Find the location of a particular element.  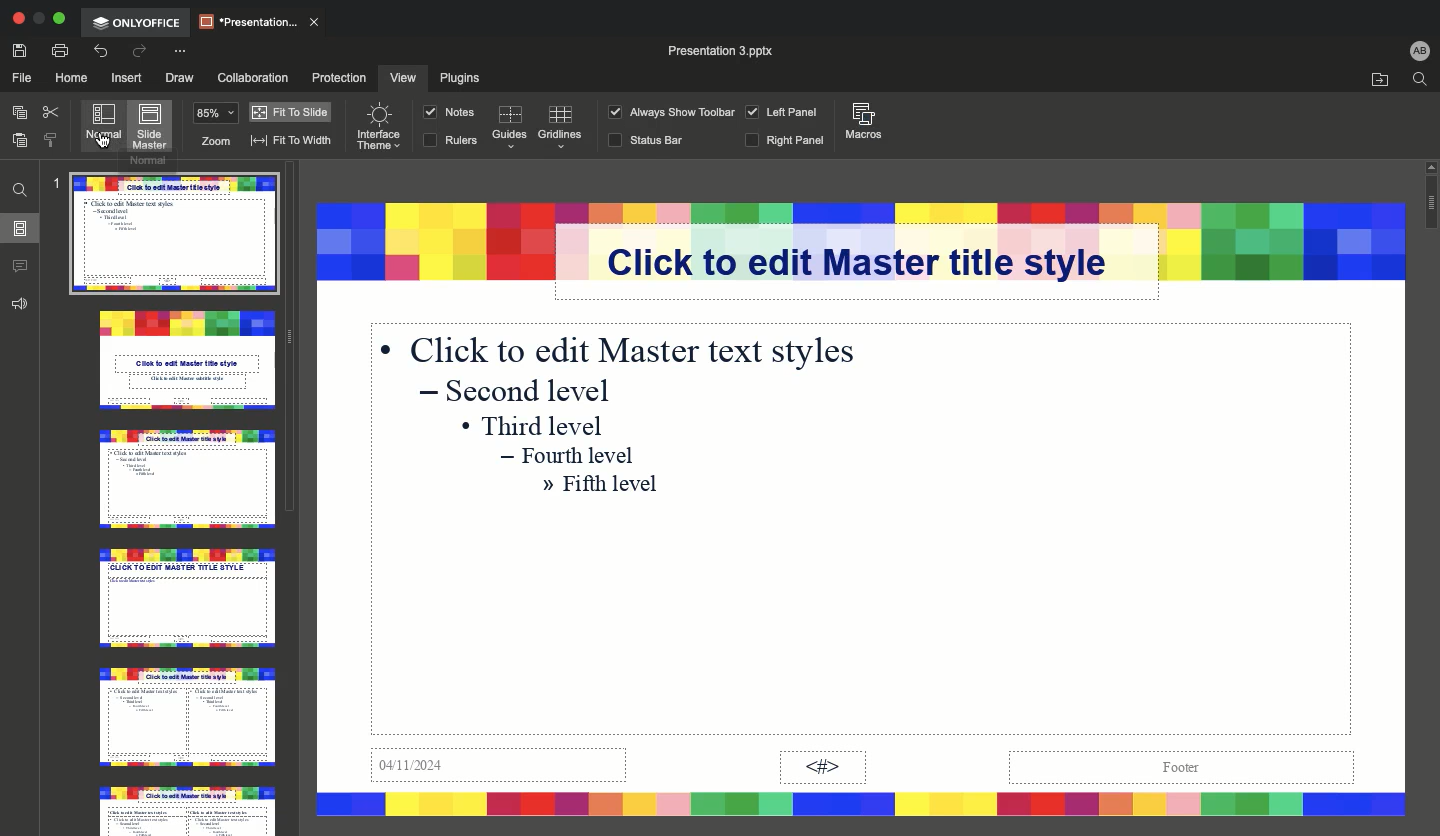

04/11/2024 is located at coordinates (501, 769).